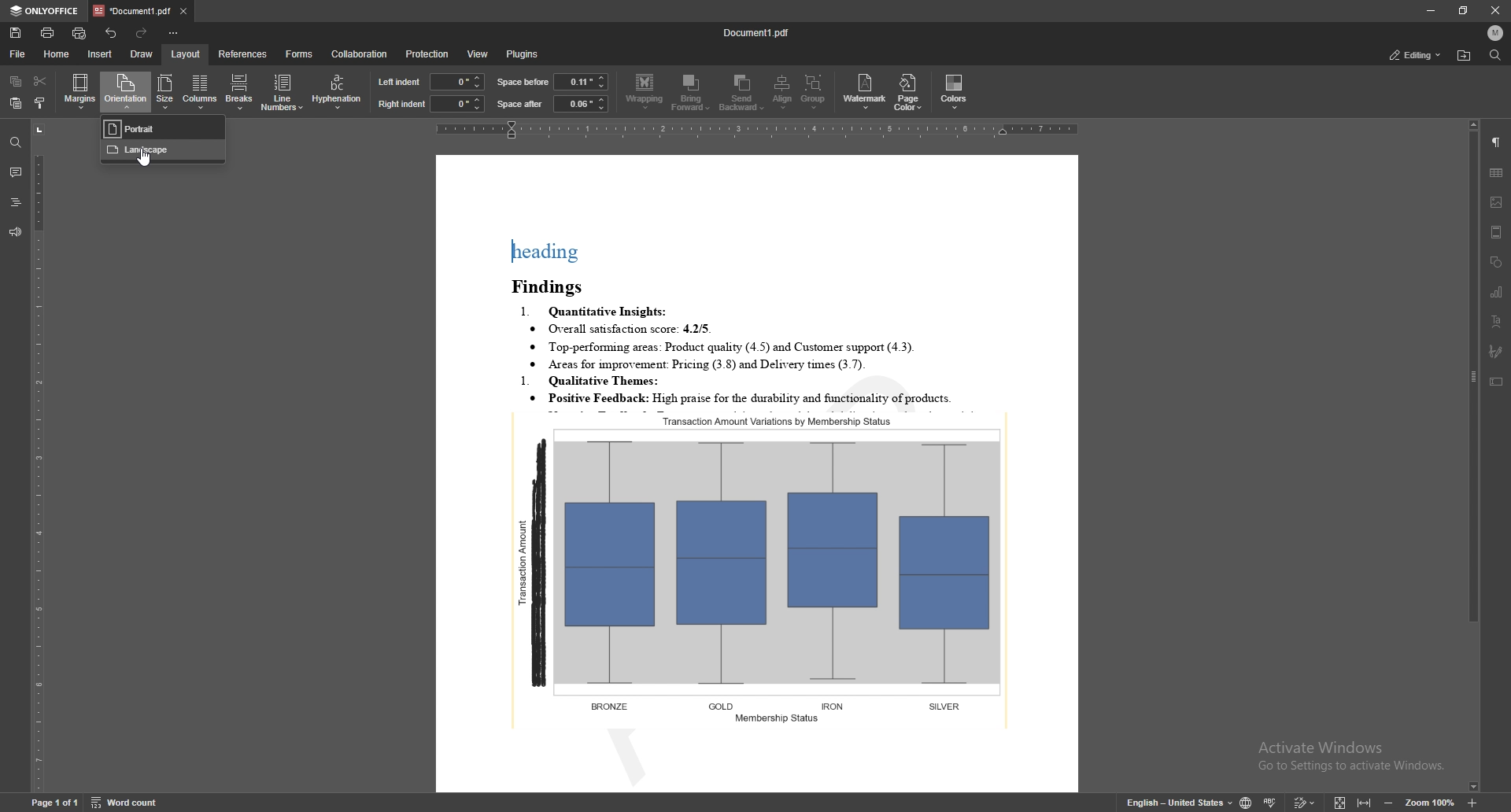 This screenshot has height=812, width=1511. Describe the element at coordinates (80, 91) in the screenshot. I see `margins` at that location.